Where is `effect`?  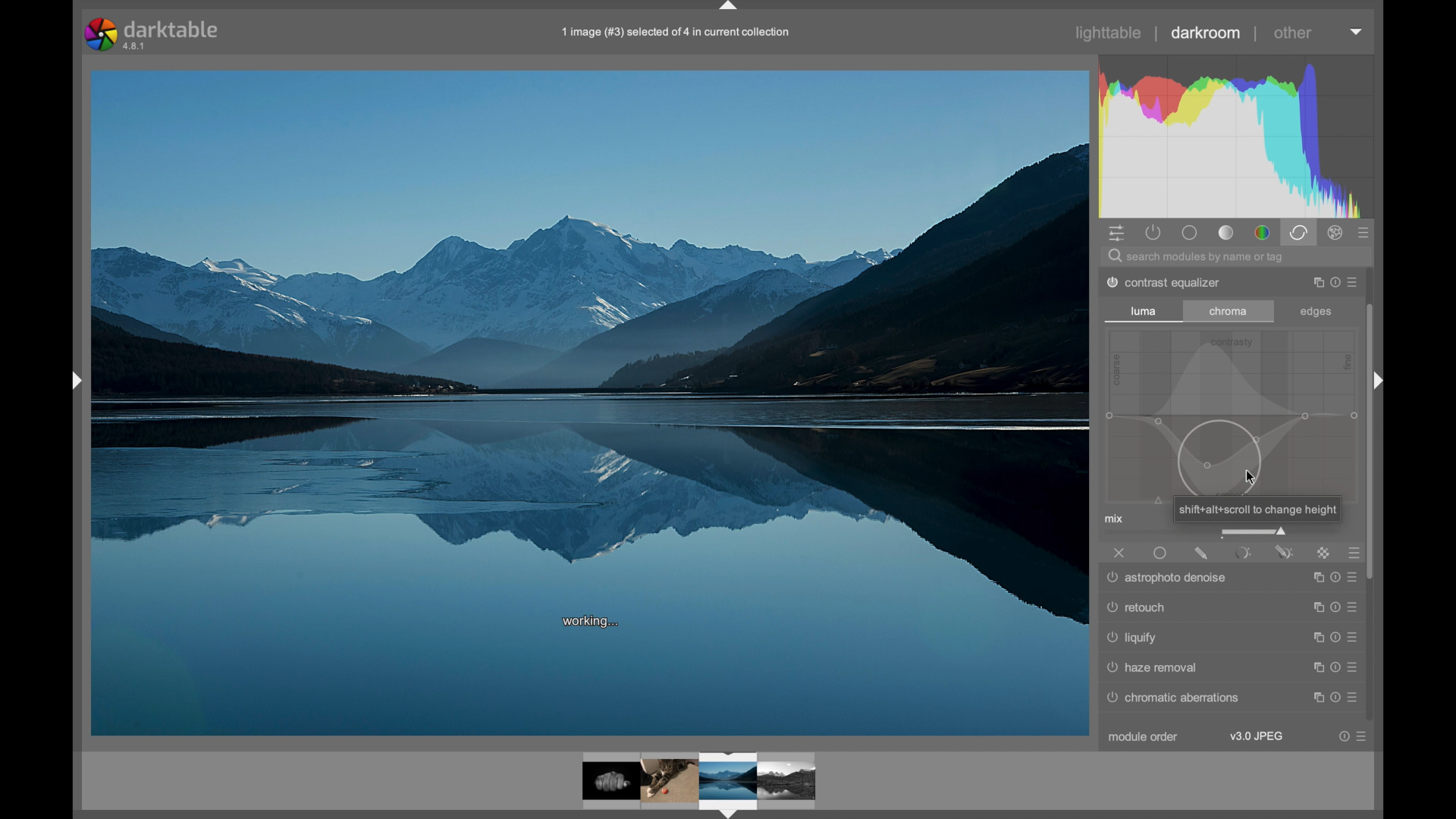
effect is located at coordinates (1336, 232).